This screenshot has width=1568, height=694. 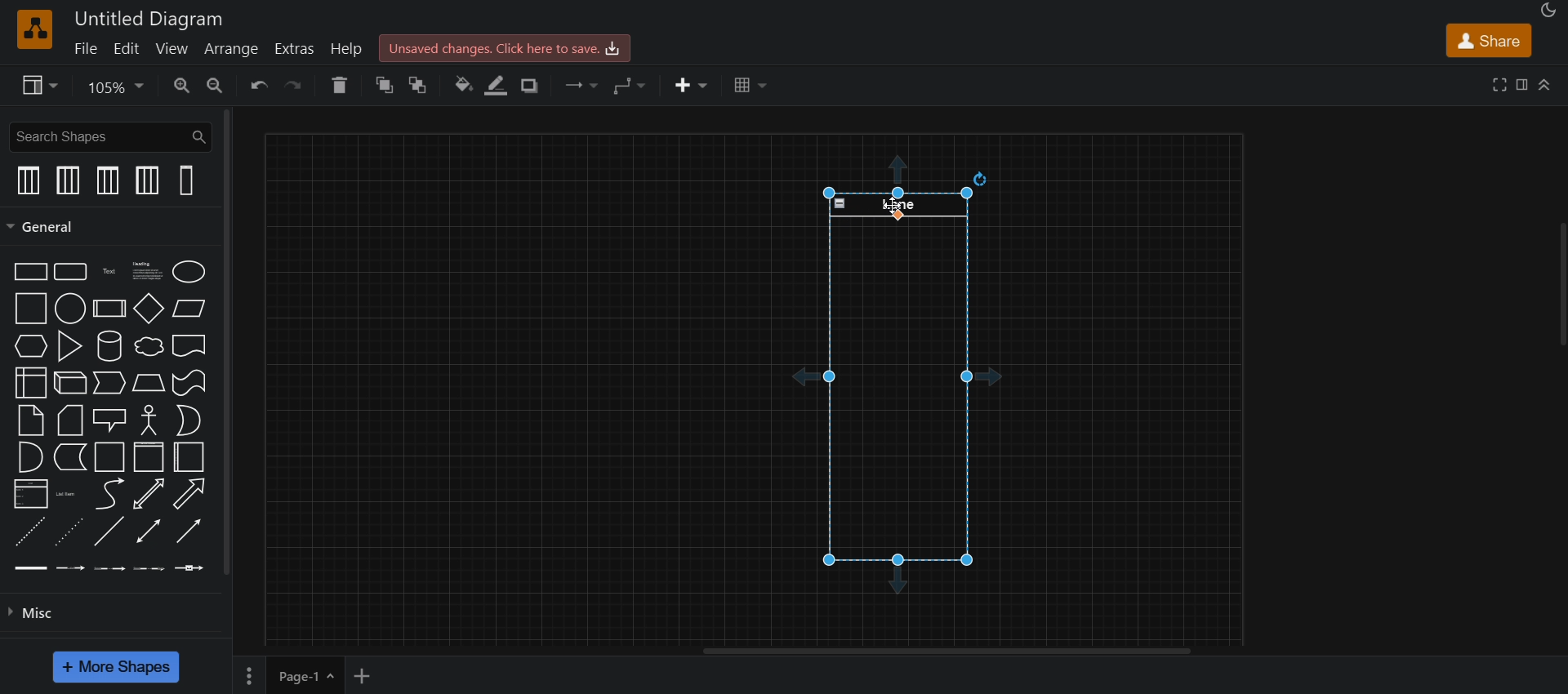 What do you see at coordinates (71, 345) in the screenshot?
I see `trinagle` at bounding box center [71, 345].